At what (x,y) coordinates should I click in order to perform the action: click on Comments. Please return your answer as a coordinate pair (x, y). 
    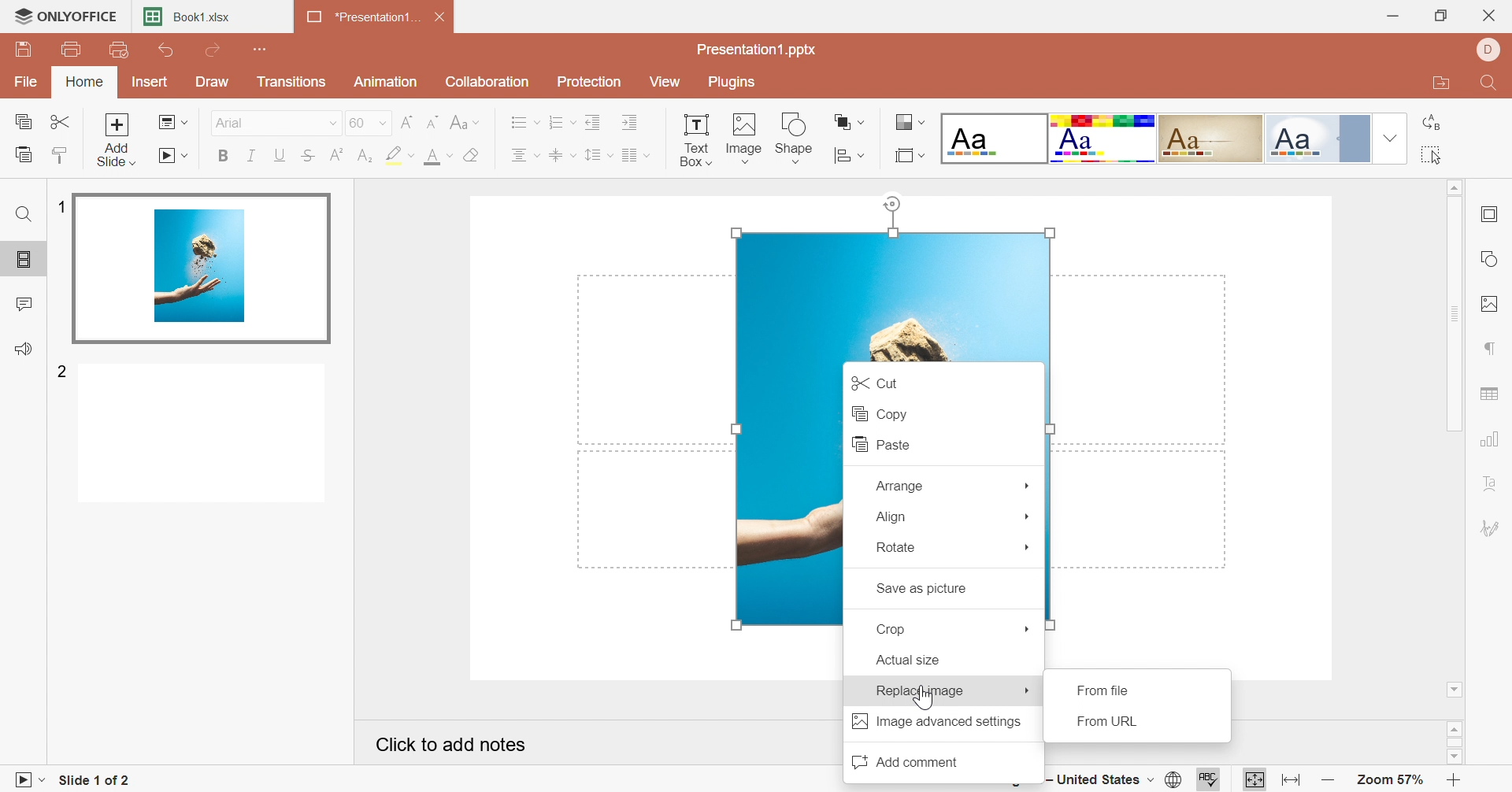
    Looking at the image, I should click on (23, 302).